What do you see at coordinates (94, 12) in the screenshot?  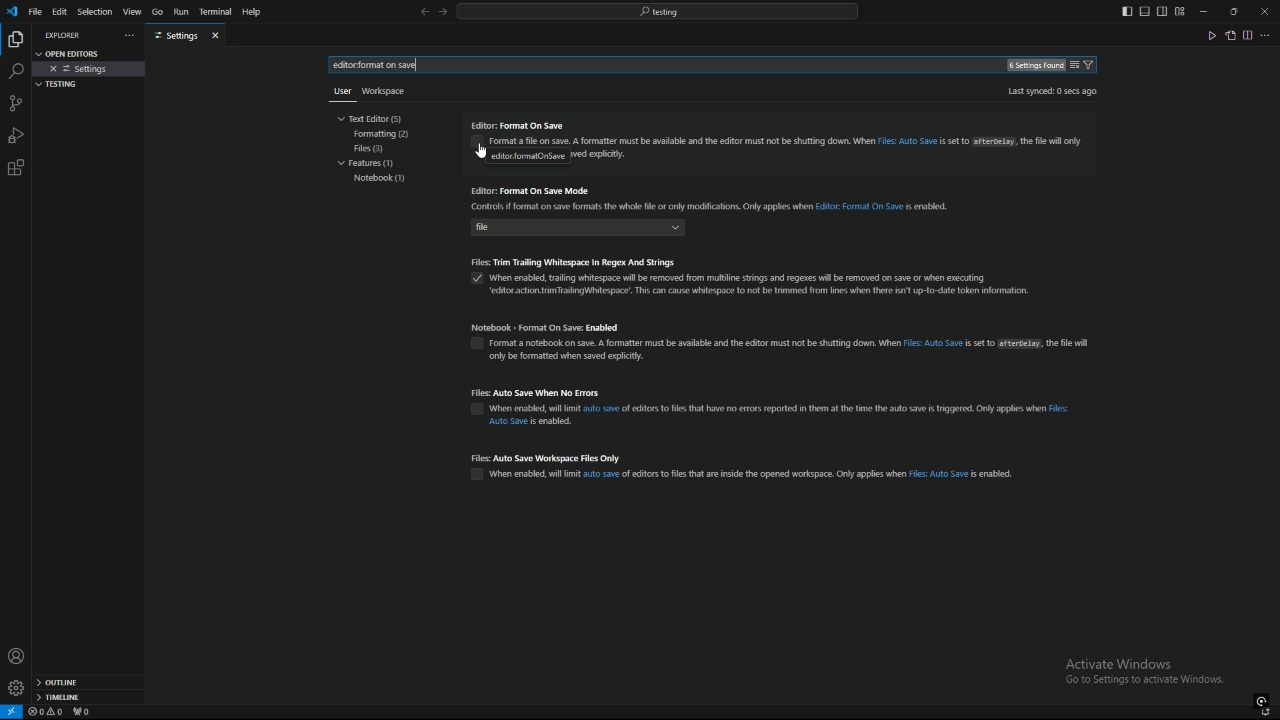 I see `selection` at bounding box center [94, 12].